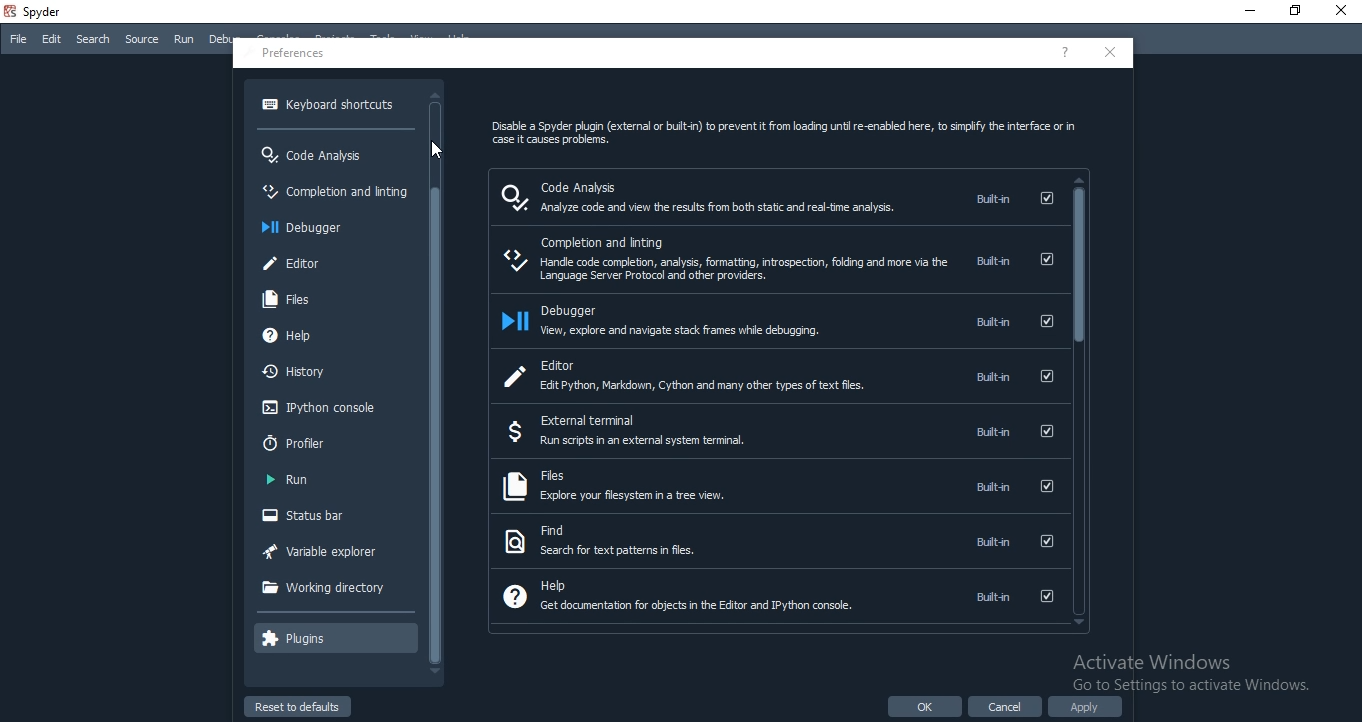 The height and width of the screenshot is (722, 1362). I want to click on checkbox, so click(1048, 378).